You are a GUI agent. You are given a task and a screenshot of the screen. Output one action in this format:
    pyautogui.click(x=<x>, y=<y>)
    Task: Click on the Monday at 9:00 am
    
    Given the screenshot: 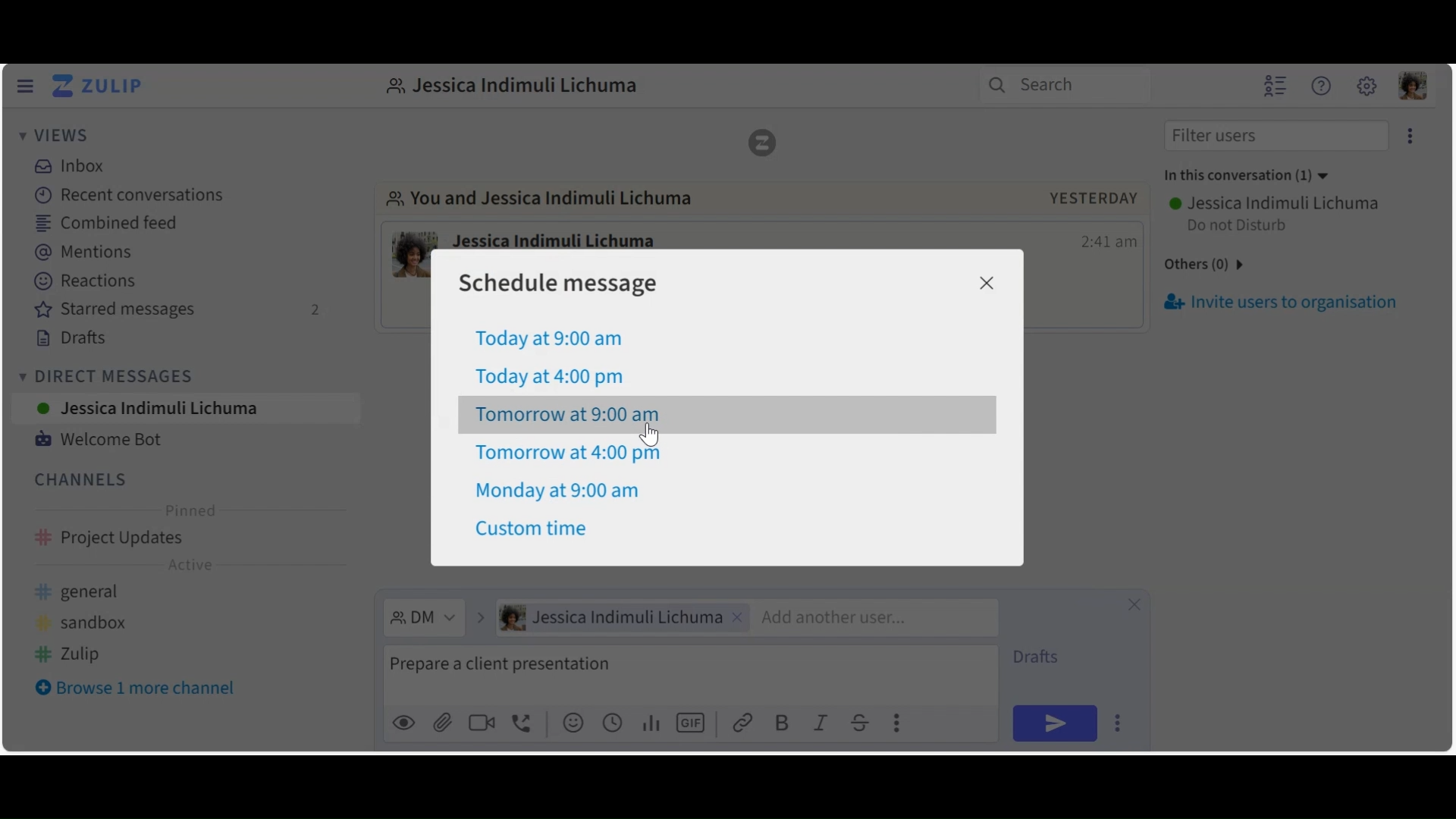 What is the action you would take?
    pyautogui.click(x=562, y=490)
    